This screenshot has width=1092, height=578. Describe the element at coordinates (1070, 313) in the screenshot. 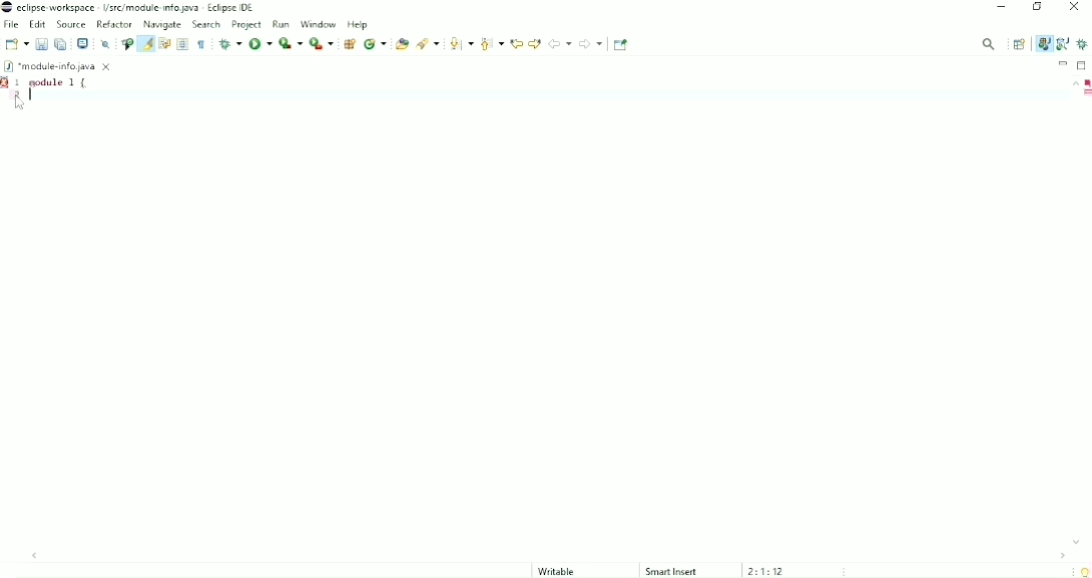

I see `Vertical scrollbar` at that location.